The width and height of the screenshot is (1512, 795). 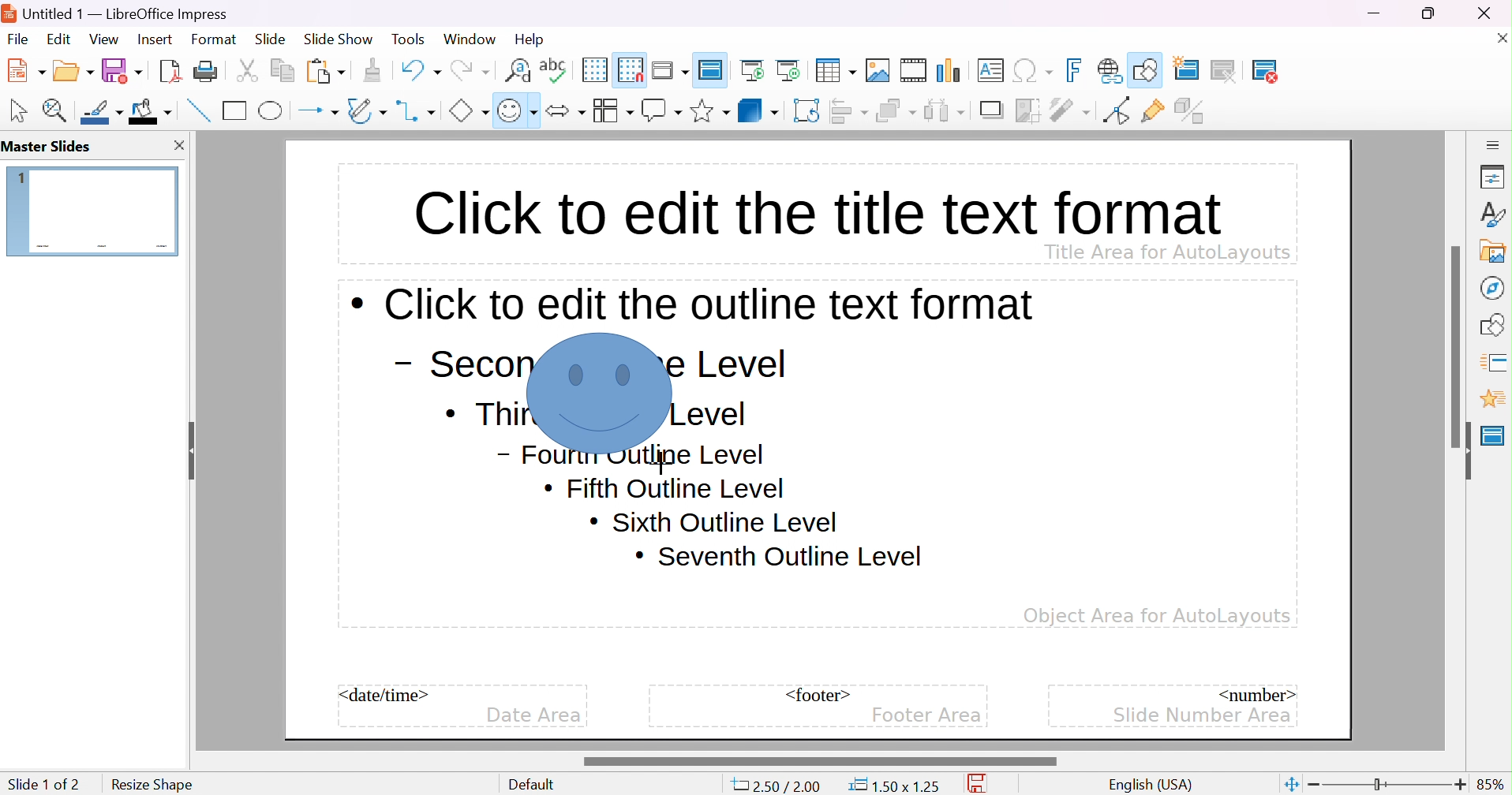 I want to click on delete slide, so click(x=1275, y=71).